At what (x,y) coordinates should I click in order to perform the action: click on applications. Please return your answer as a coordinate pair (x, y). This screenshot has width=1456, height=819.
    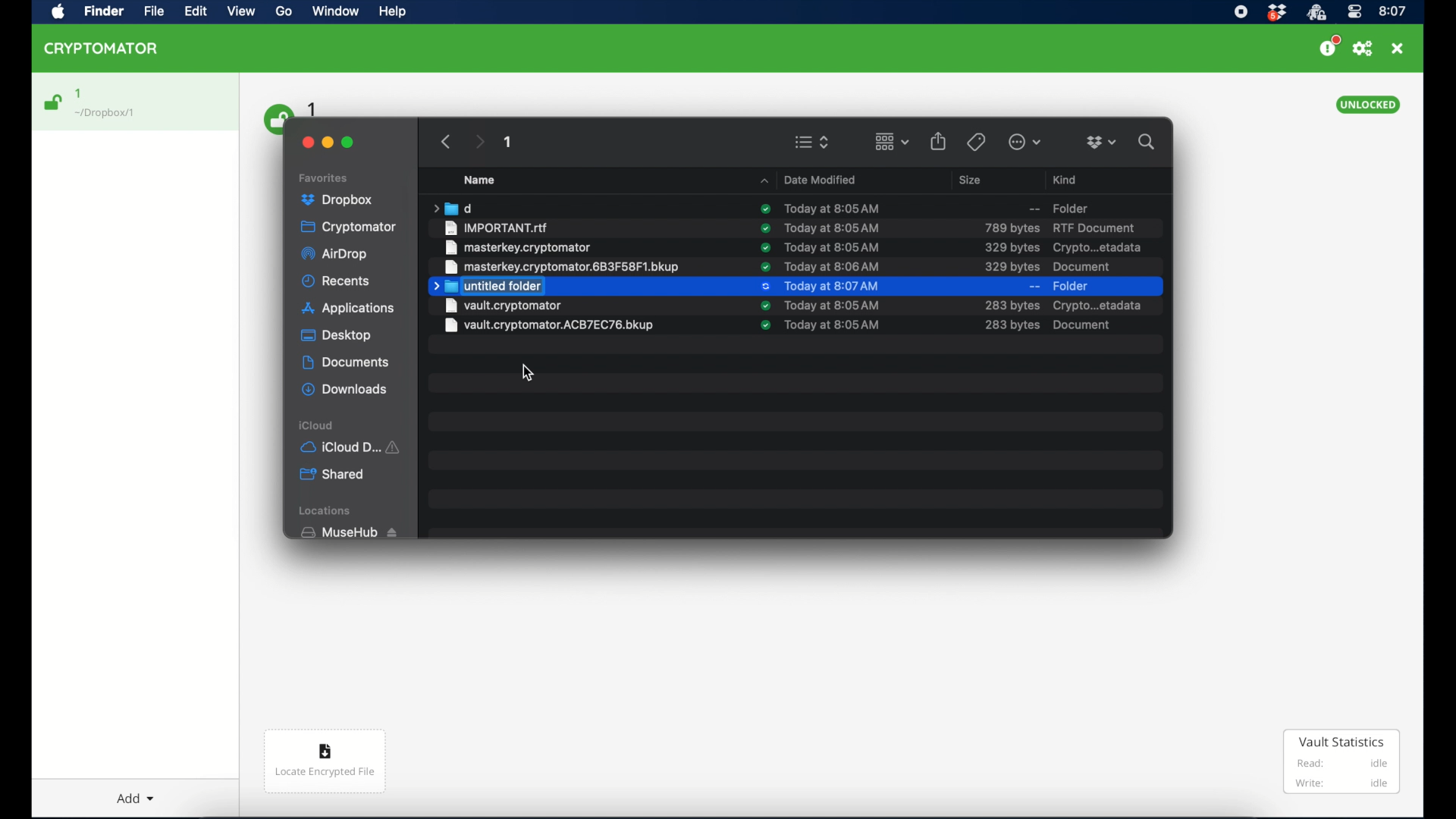
    Looking at the image, I should click on (349, 309).